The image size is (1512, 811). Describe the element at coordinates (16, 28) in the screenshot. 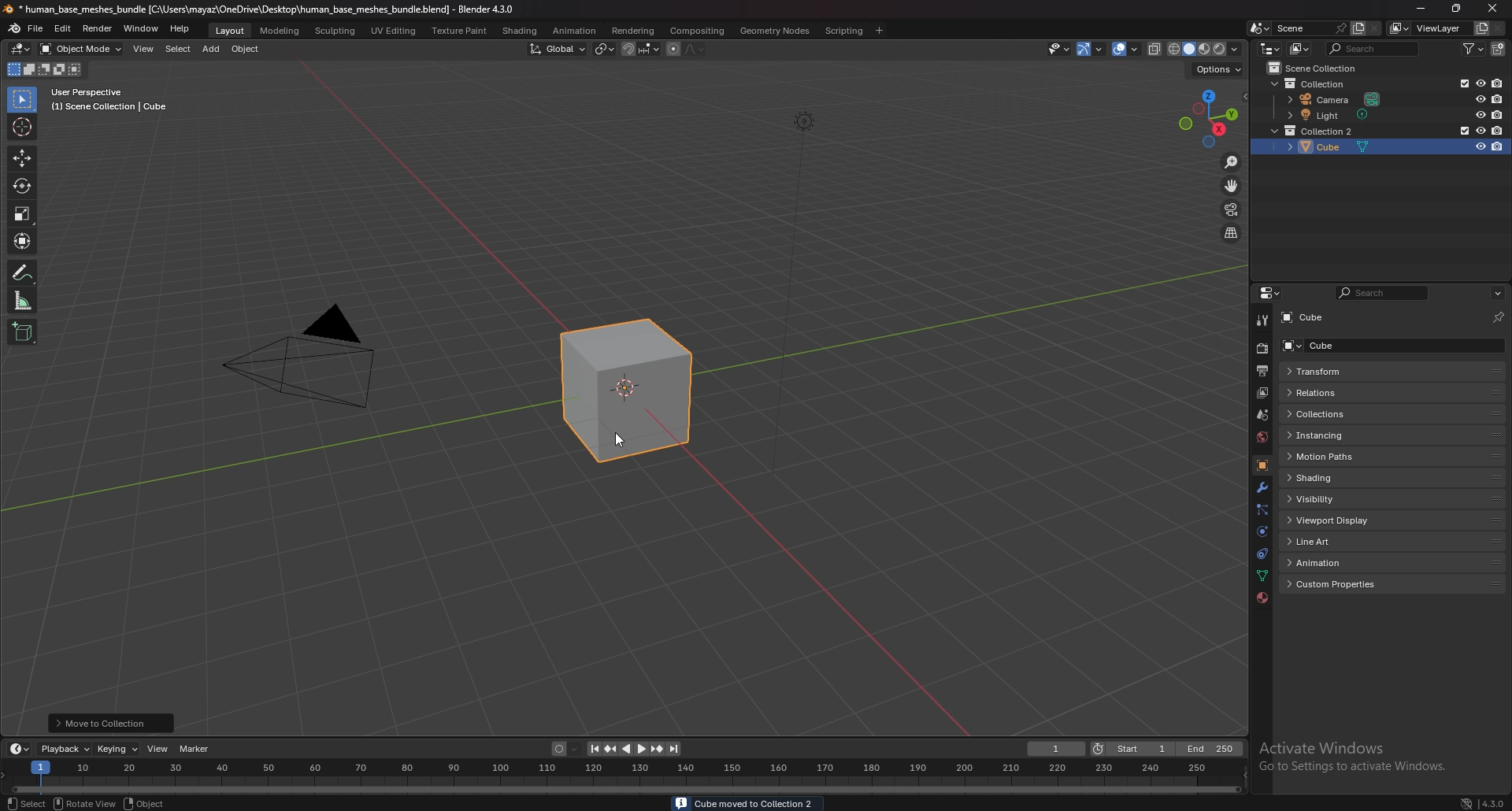

I see `blender` at that location.